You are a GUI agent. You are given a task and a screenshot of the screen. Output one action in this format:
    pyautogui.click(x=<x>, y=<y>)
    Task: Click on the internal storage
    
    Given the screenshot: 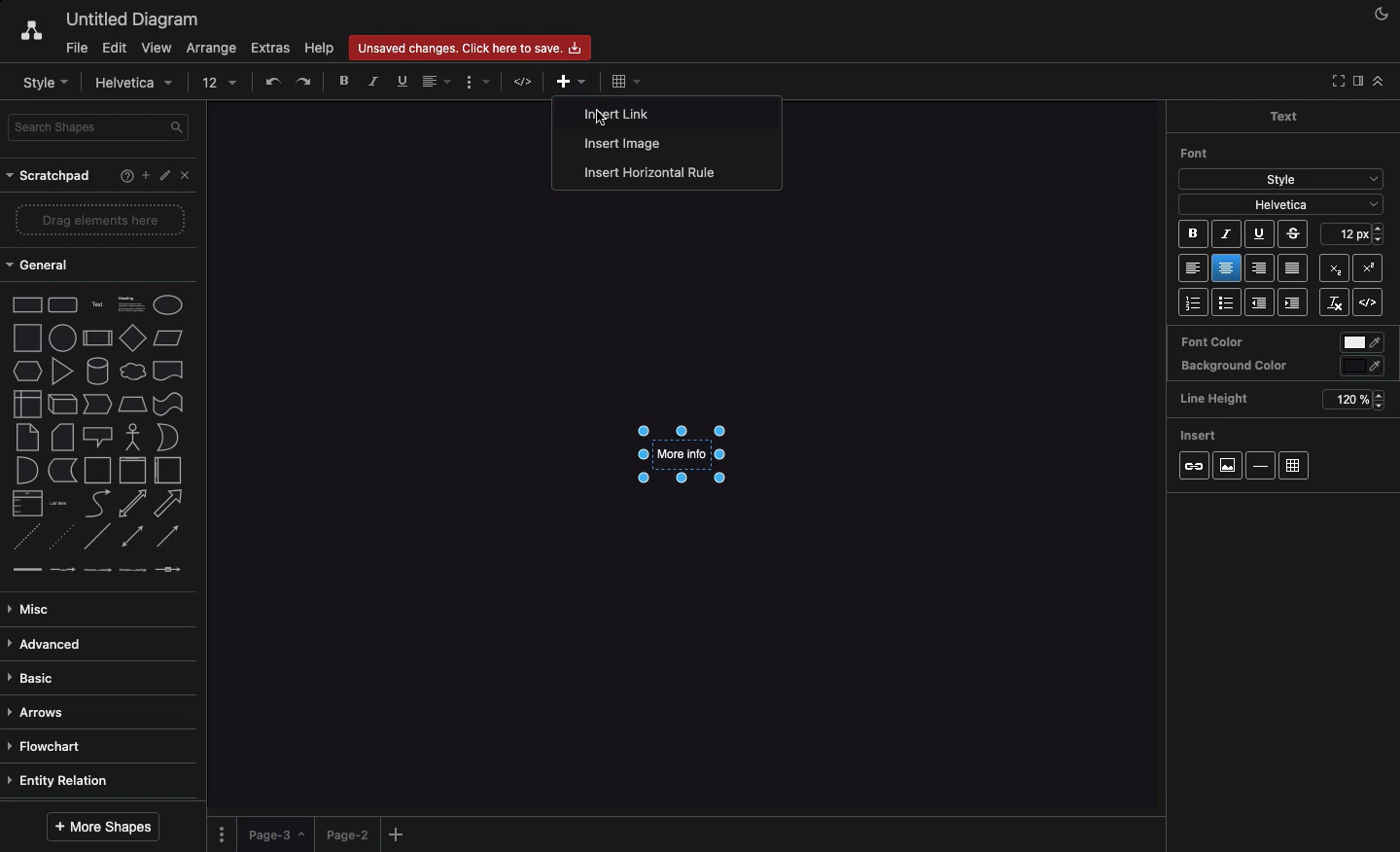 What is the action you would take?
    pyautogui.click(x=28, y=404)
    